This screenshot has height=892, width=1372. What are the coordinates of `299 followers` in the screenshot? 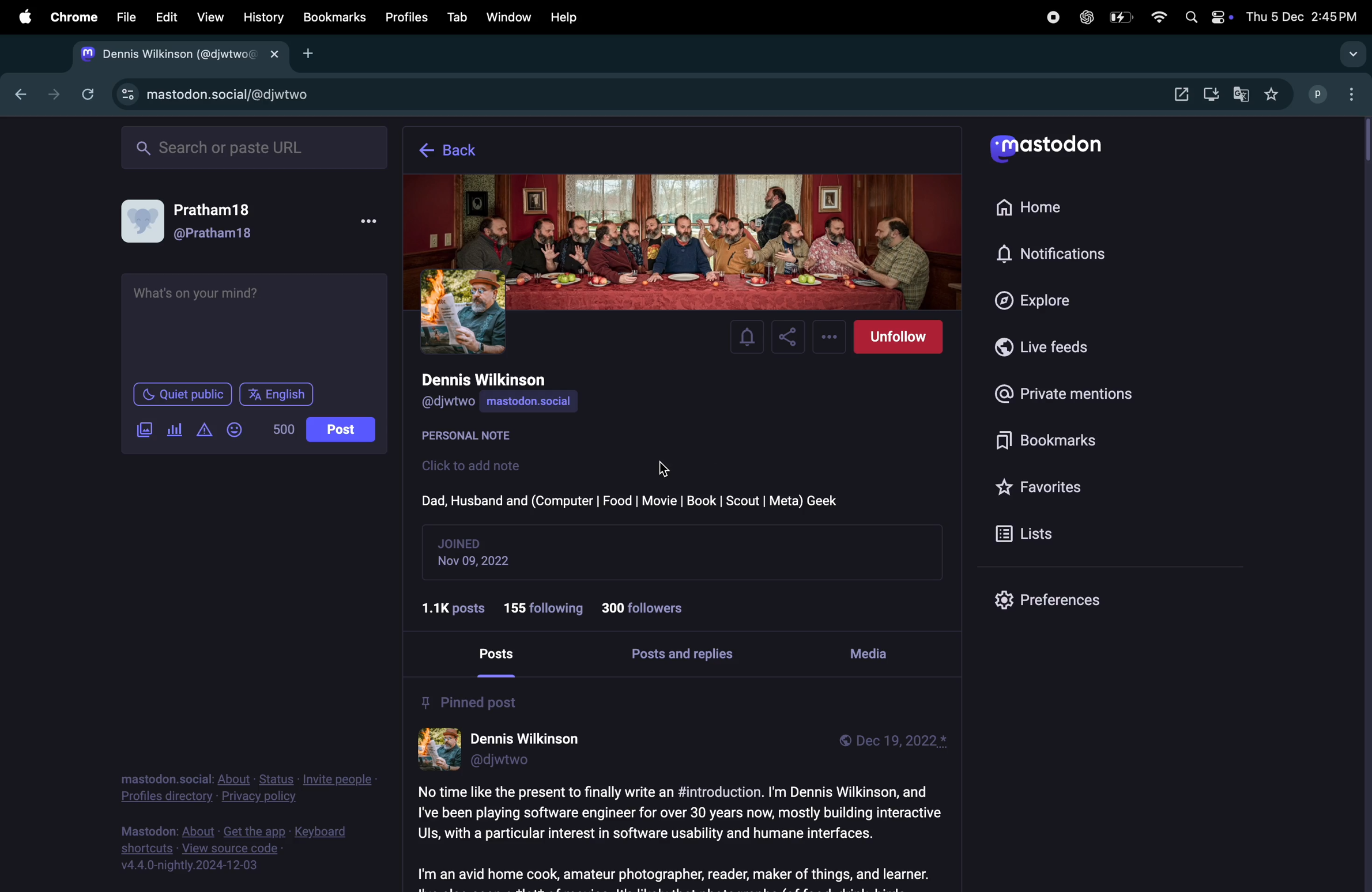 It's located at (648, 608).